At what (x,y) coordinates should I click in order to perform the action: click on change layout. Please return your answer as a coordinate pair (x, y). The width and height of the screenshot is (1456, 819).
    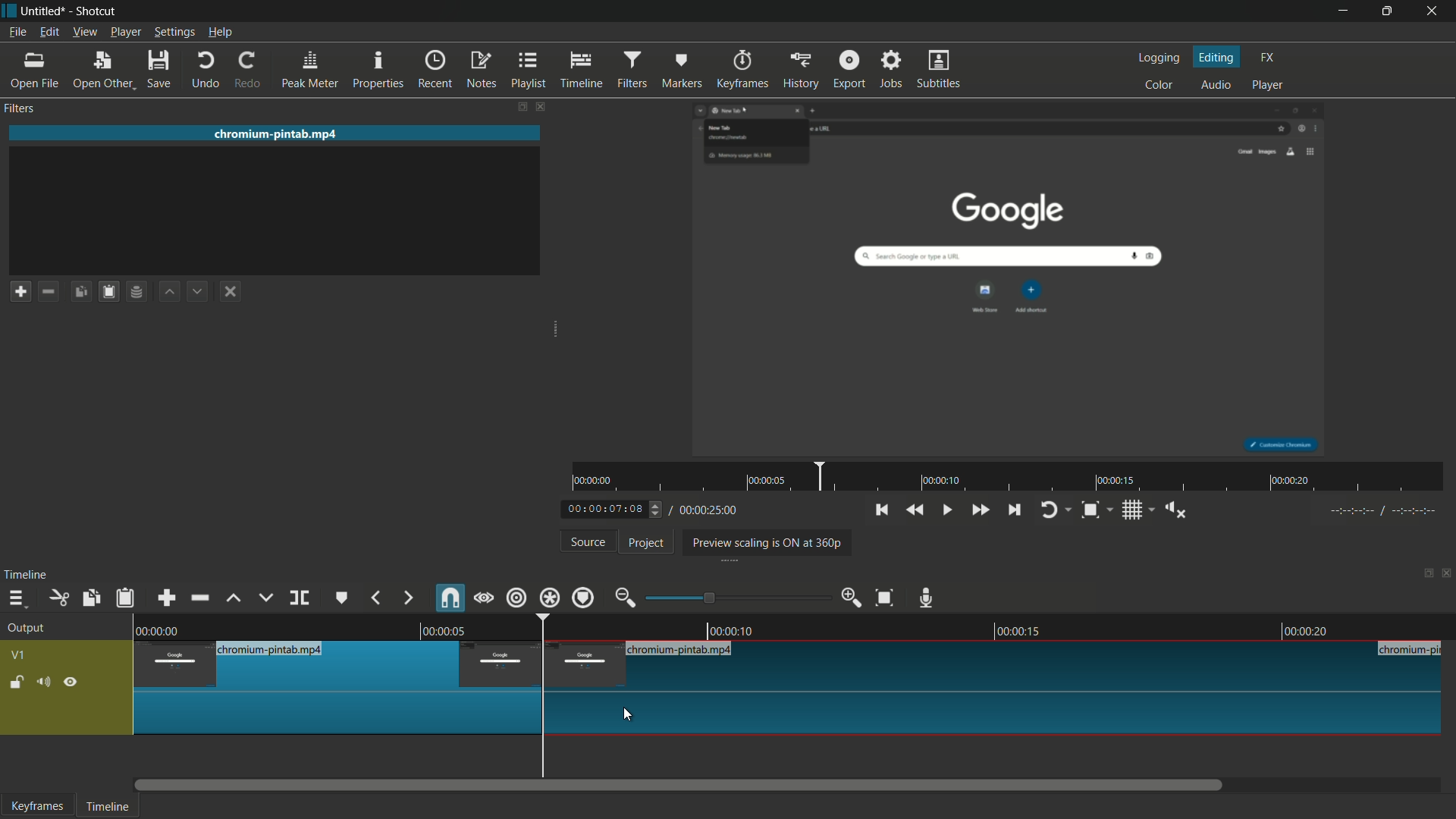
    Looking at the image, I should click on (520, 107).